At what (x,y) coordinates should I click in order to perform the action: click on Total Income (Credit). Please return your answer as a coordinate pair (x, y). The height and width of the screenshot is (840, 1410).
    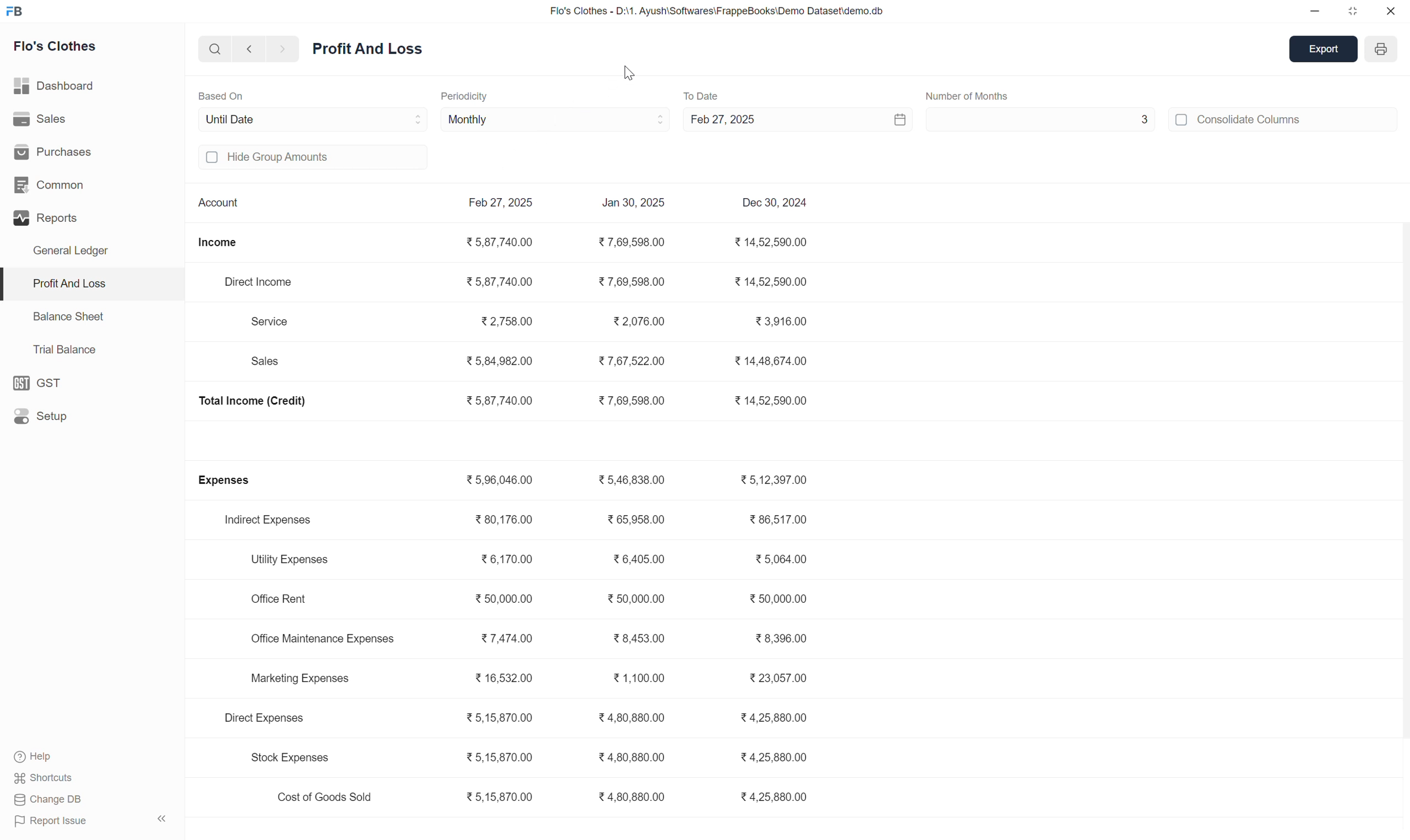
    Looking at the image, I should click on (252, 403).